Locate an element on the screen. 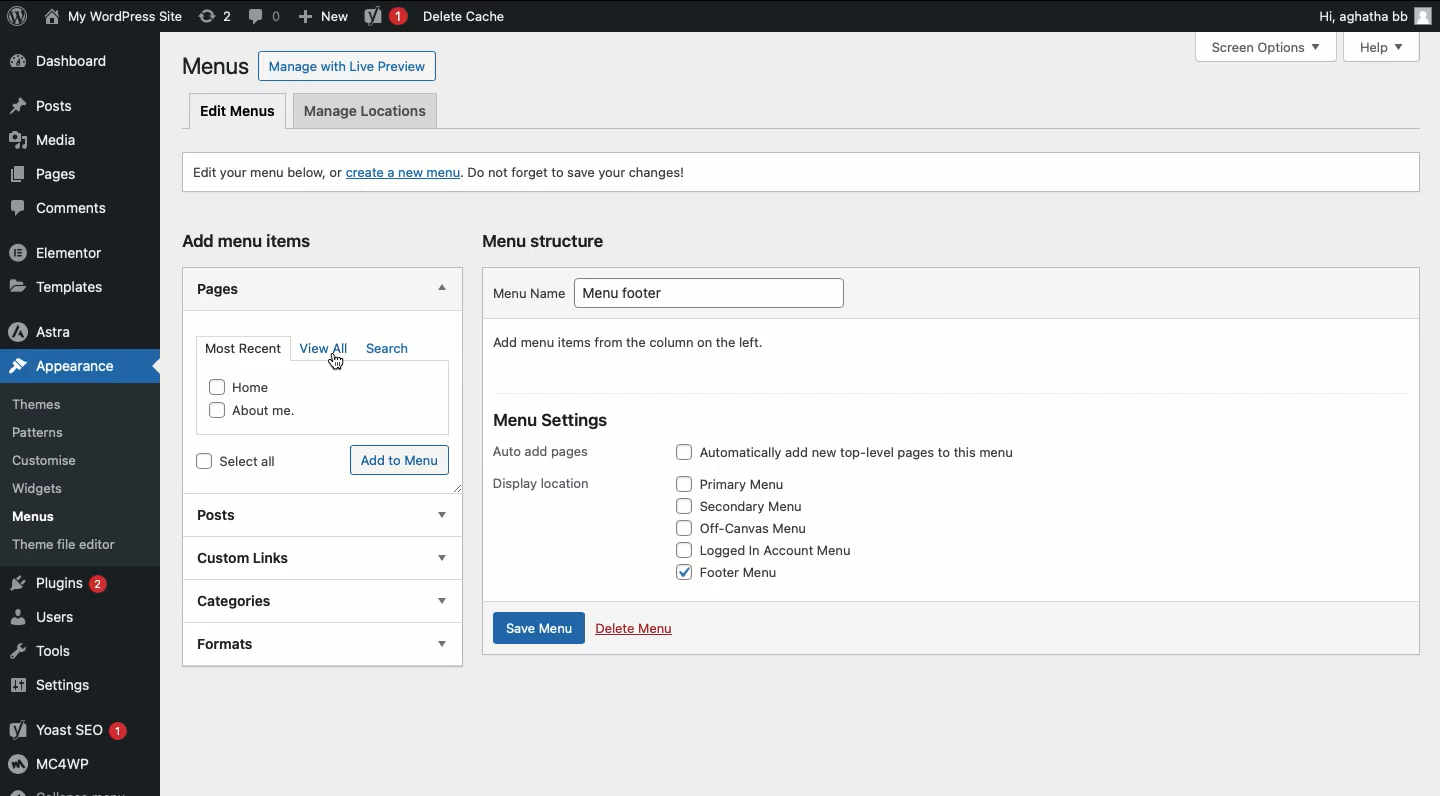 This screenshot has width=1440, height=796. Auto add pages is located at coordinates (544, 452).